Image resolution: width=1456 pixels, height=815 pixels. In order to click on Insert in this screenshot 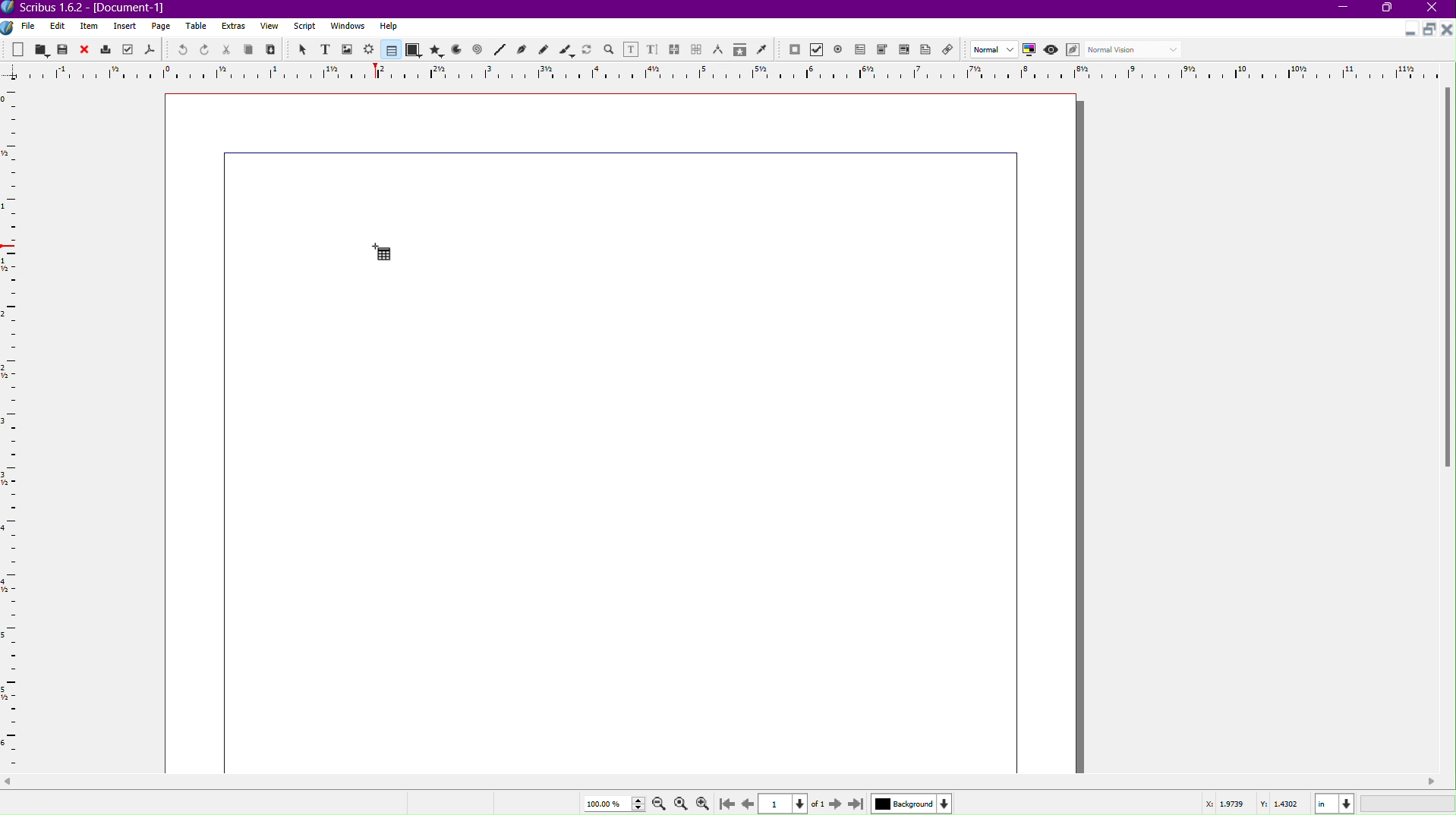, I will do `click(125, 27)`.